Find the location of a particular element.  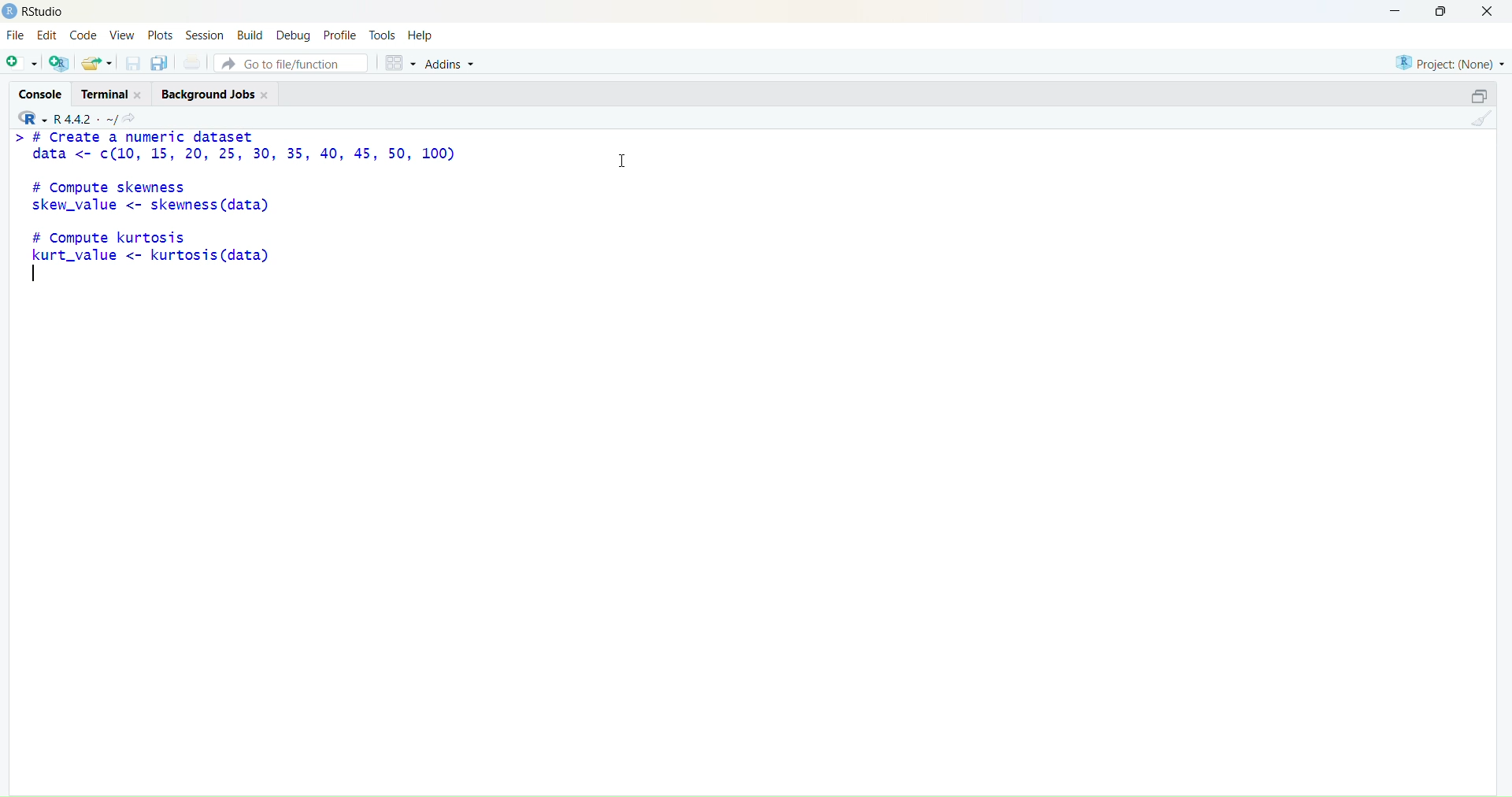

Print the current file is located at coordinates (191, 63).